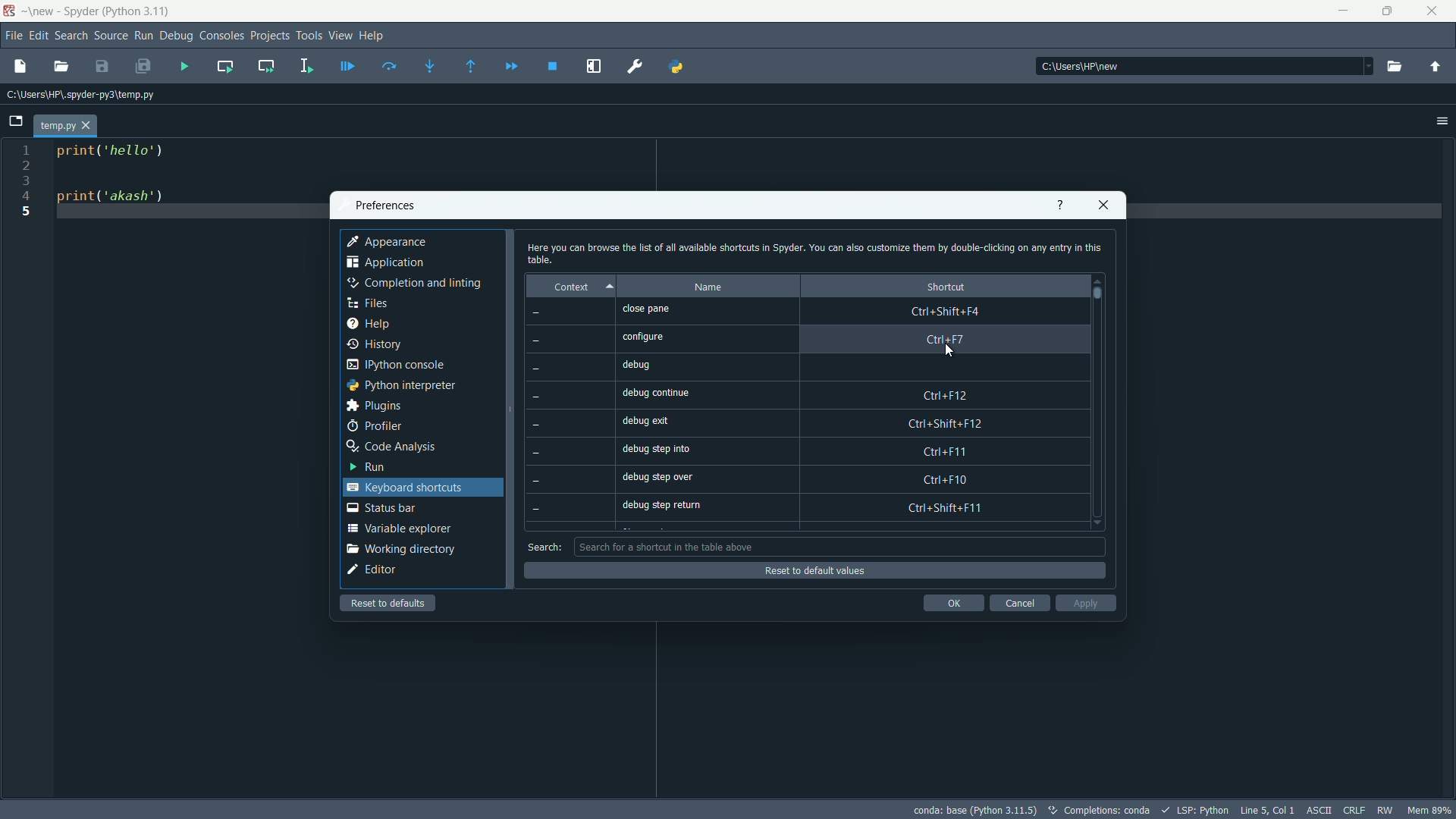 The width and height of the screenshot is (1456, 819). Describe the element at coordinates (812, 571) in the screenshot. I see `reset to default values` at that location.